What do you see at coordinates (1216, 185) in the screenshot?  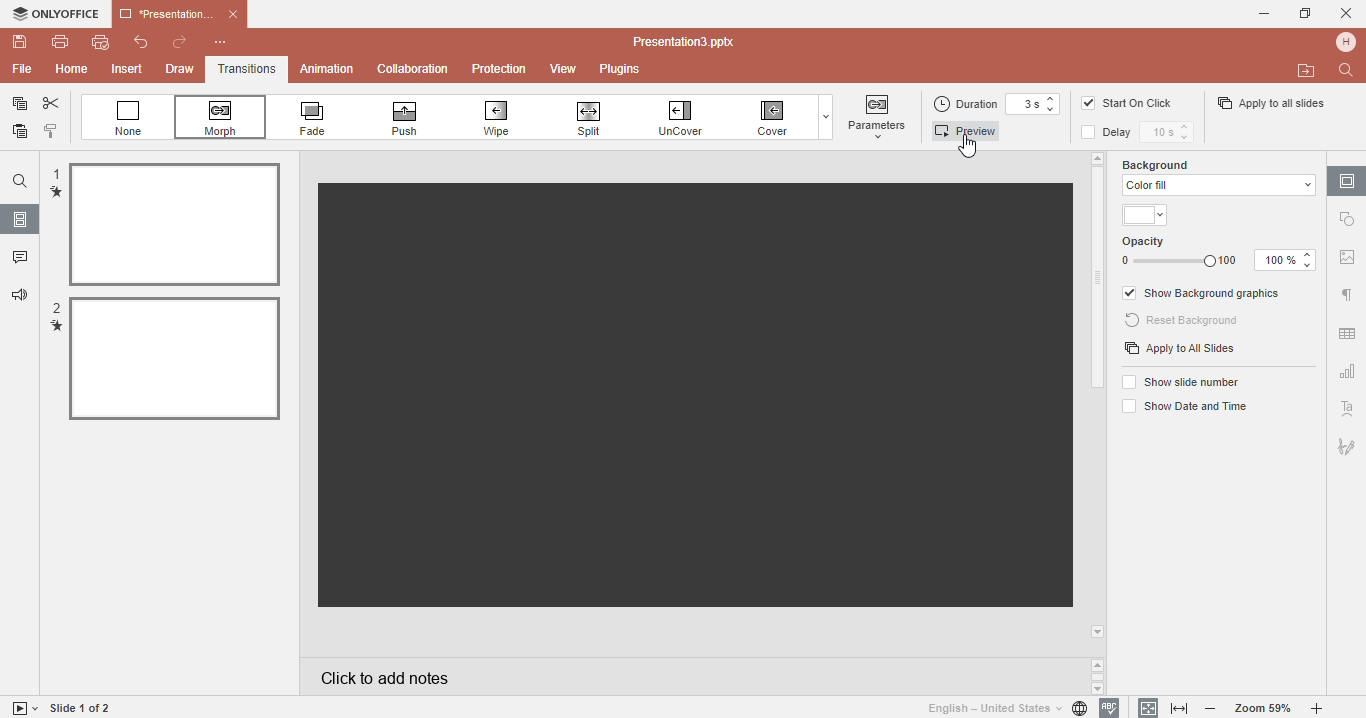 I see `color fill` at bounding box center [1216, 185].